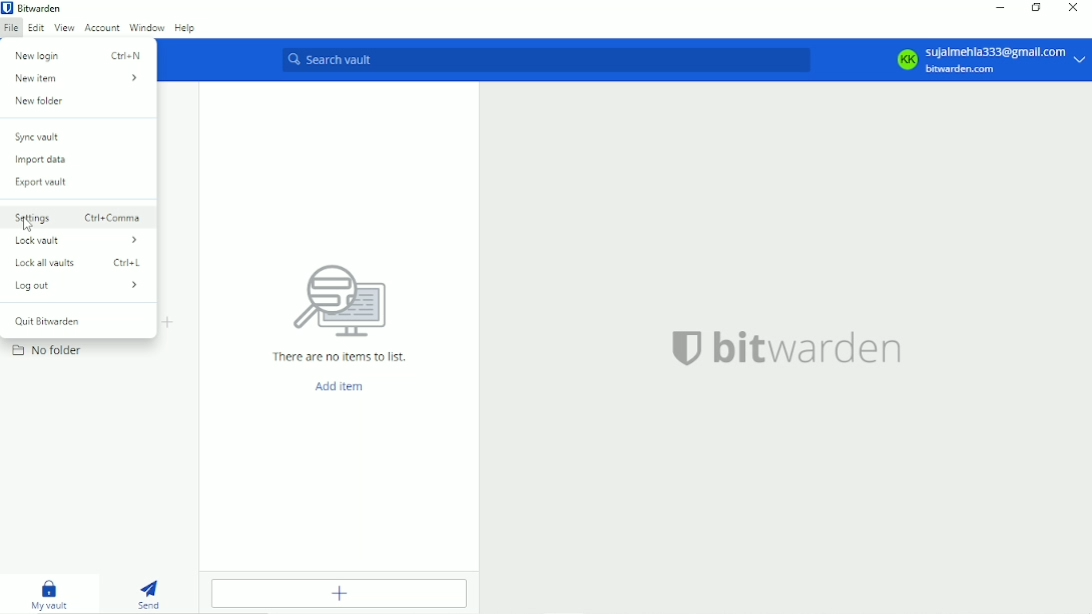  I want to click on Quit bitwarden, so click(48, 320).